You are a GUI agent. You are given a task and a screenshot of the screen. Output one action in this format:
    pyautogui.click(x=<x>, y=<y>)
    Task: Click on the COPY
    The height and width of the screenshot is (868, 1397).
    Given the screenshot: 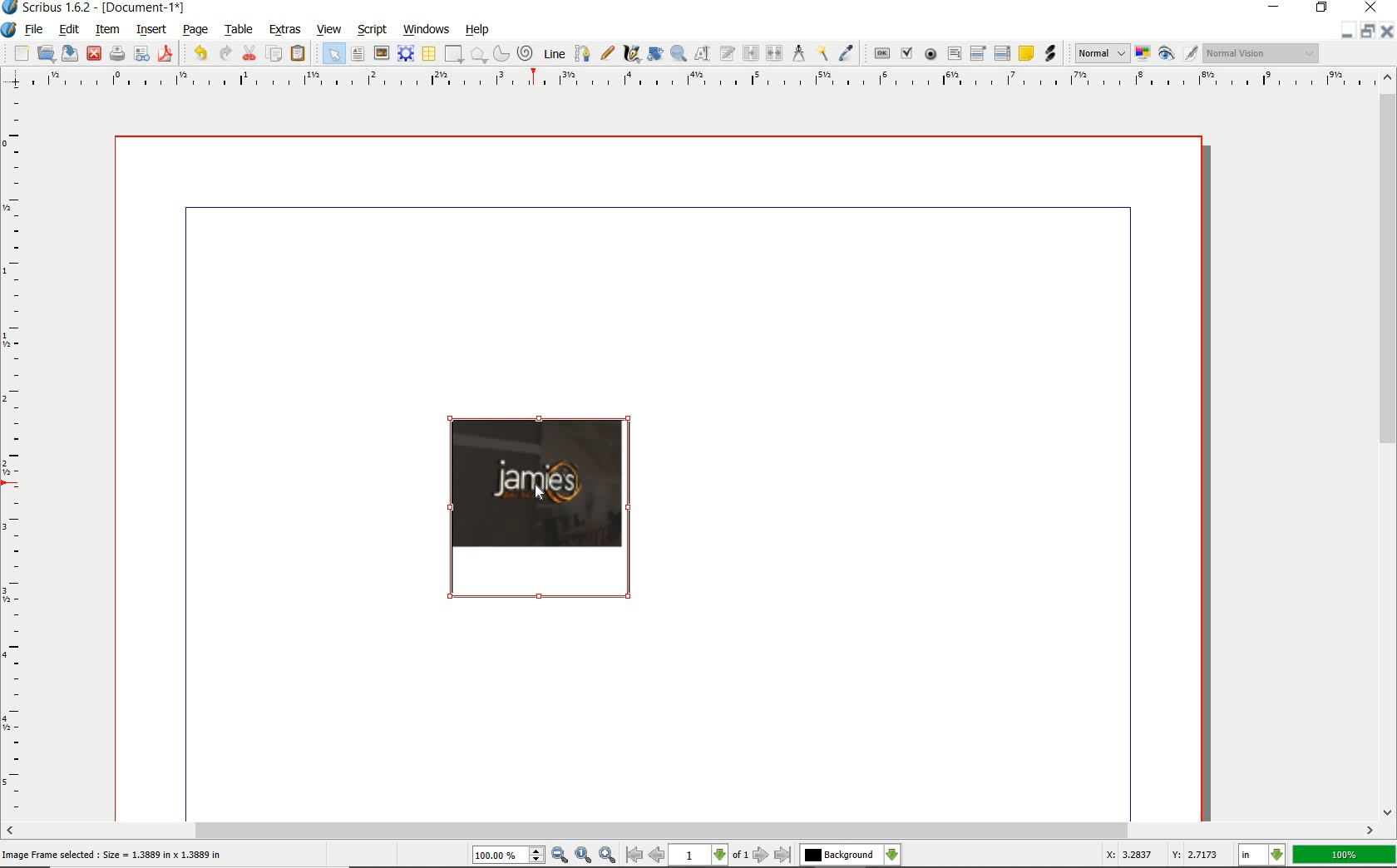 What is the action you would take?
    pyautogui.click(x=274, y=57)
    